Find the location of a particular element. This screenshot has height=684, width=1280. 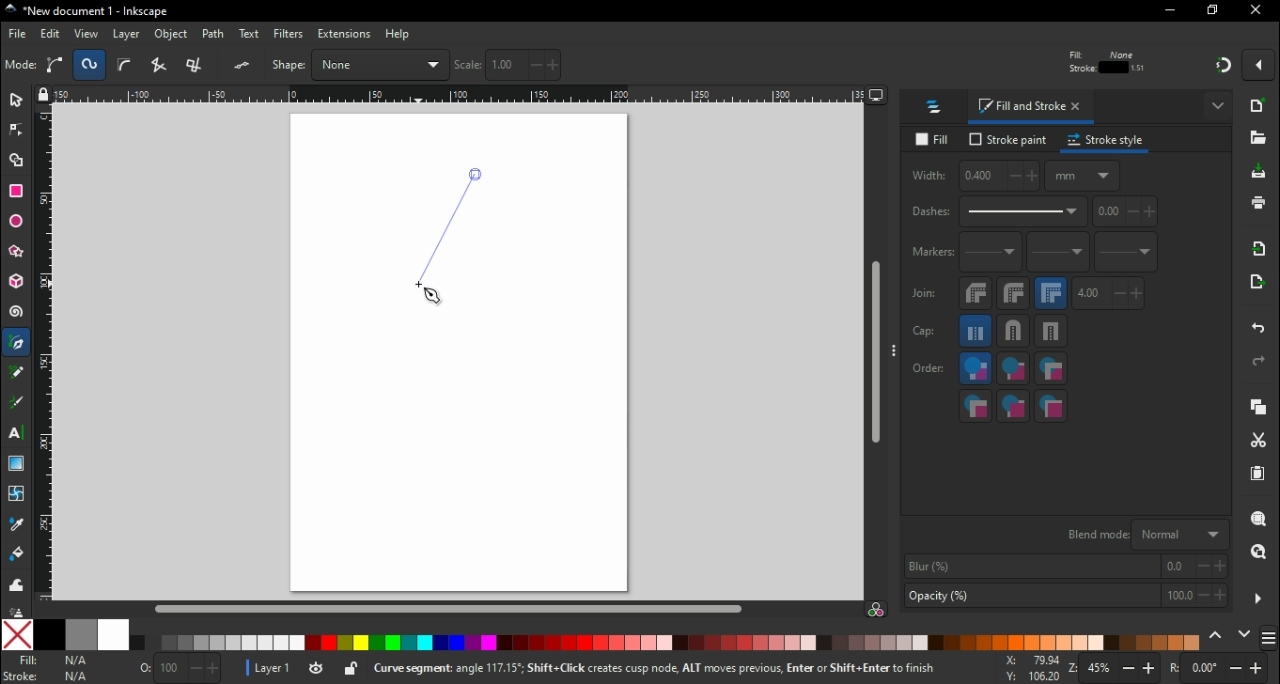

tweak tool is located at coordinates (16, 588).